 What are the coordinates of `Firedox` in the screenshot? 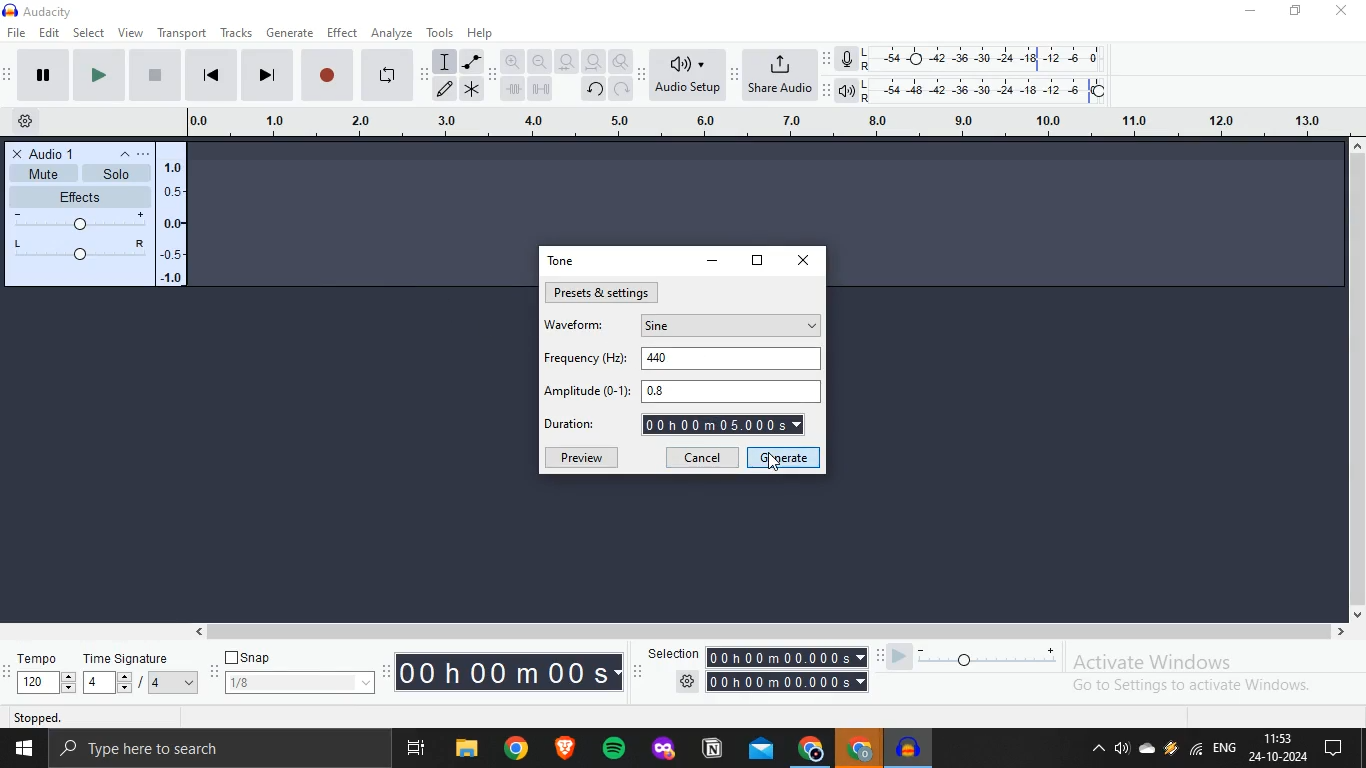 It's located at (663, 750).